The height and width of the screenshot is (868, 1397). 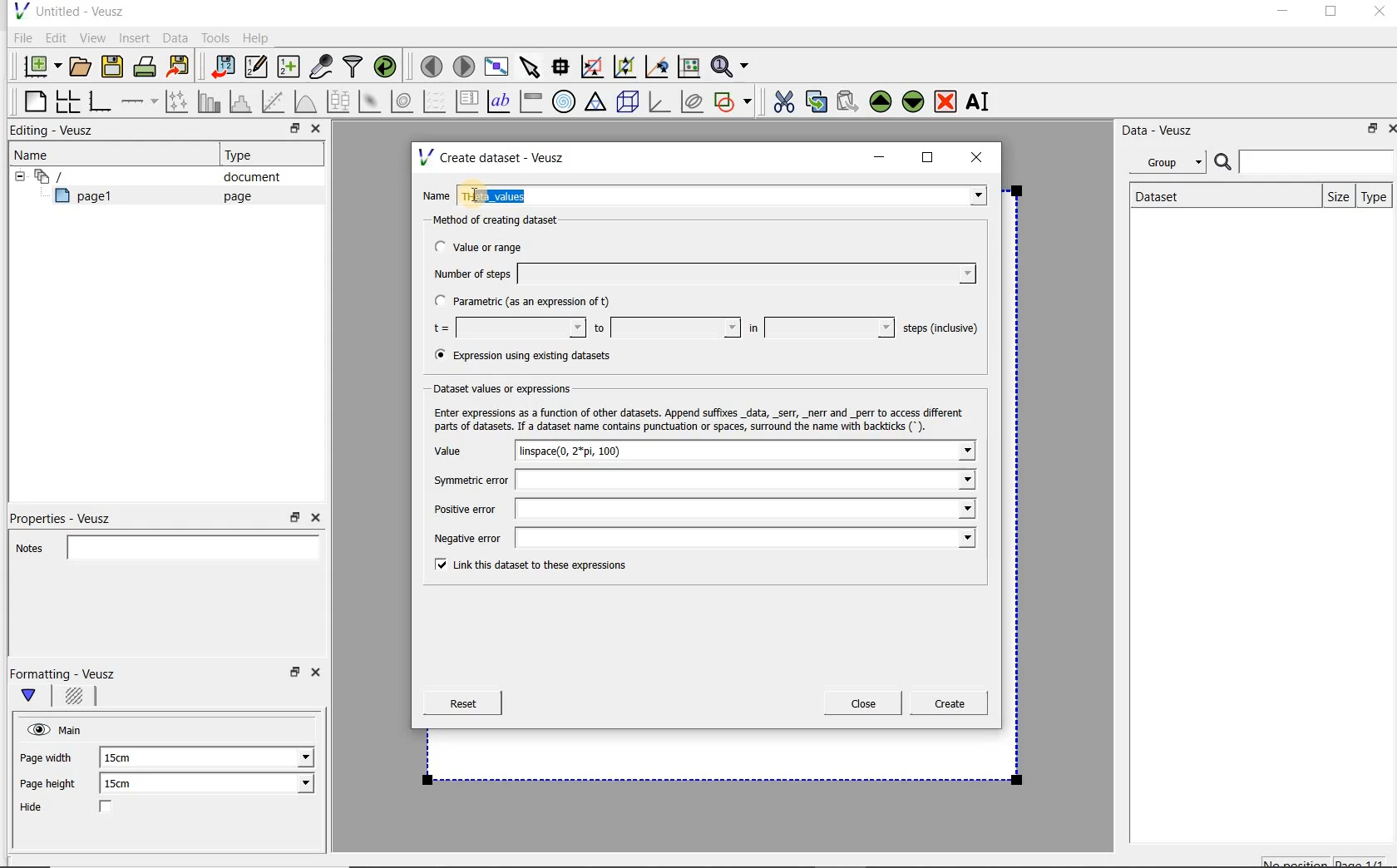 What do you see at coordinates (726, 198) in the screenshot?
I see `Theta_values` at bounding box center [726, 198].